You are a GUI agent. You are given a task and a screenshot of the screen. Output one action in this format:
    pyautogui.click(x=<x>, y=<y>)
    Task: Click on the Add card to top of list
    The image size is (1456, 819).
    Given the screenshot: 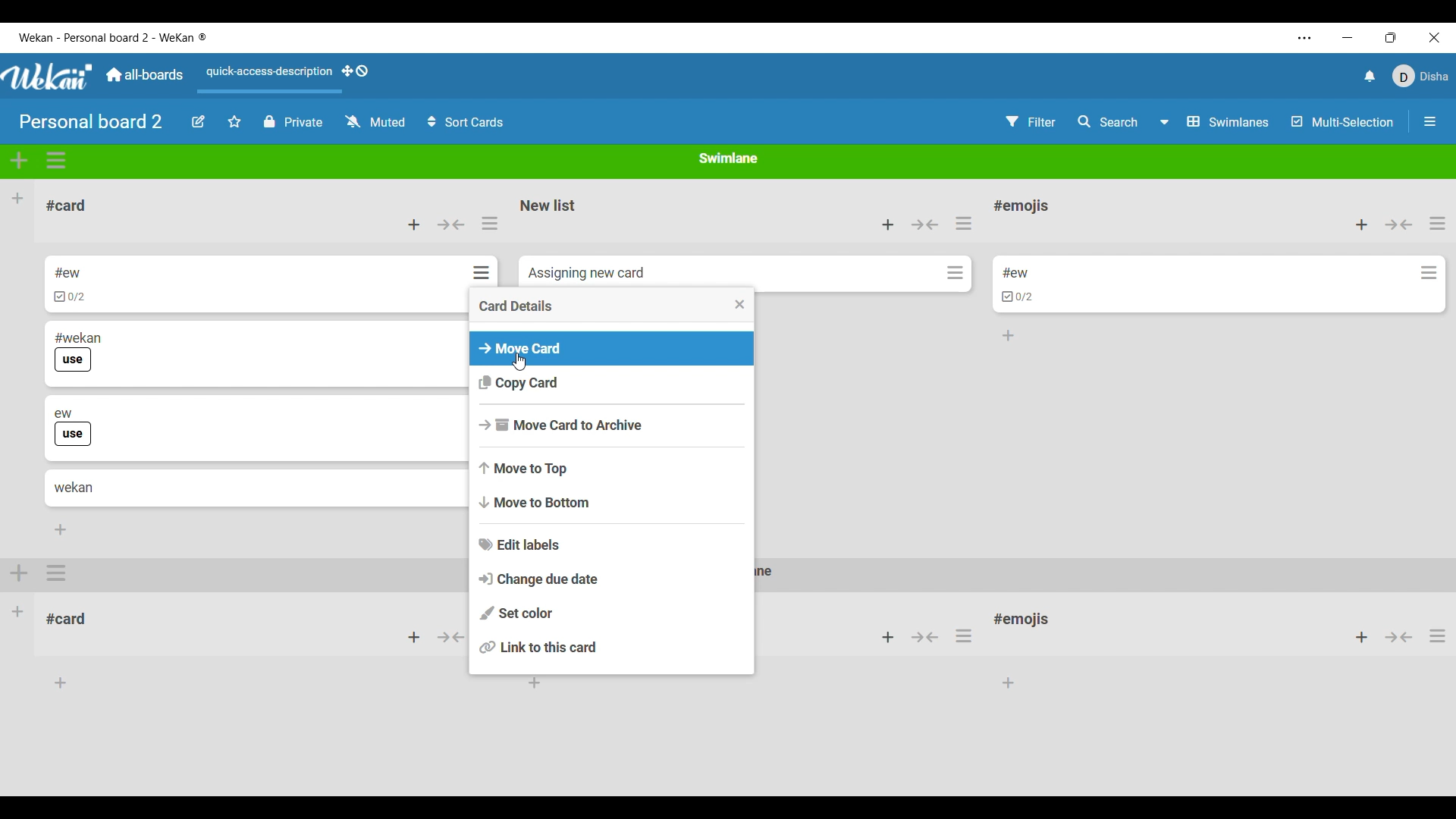 What is the action you would take?
    pyautogui.click(x=1362, y=225)
    